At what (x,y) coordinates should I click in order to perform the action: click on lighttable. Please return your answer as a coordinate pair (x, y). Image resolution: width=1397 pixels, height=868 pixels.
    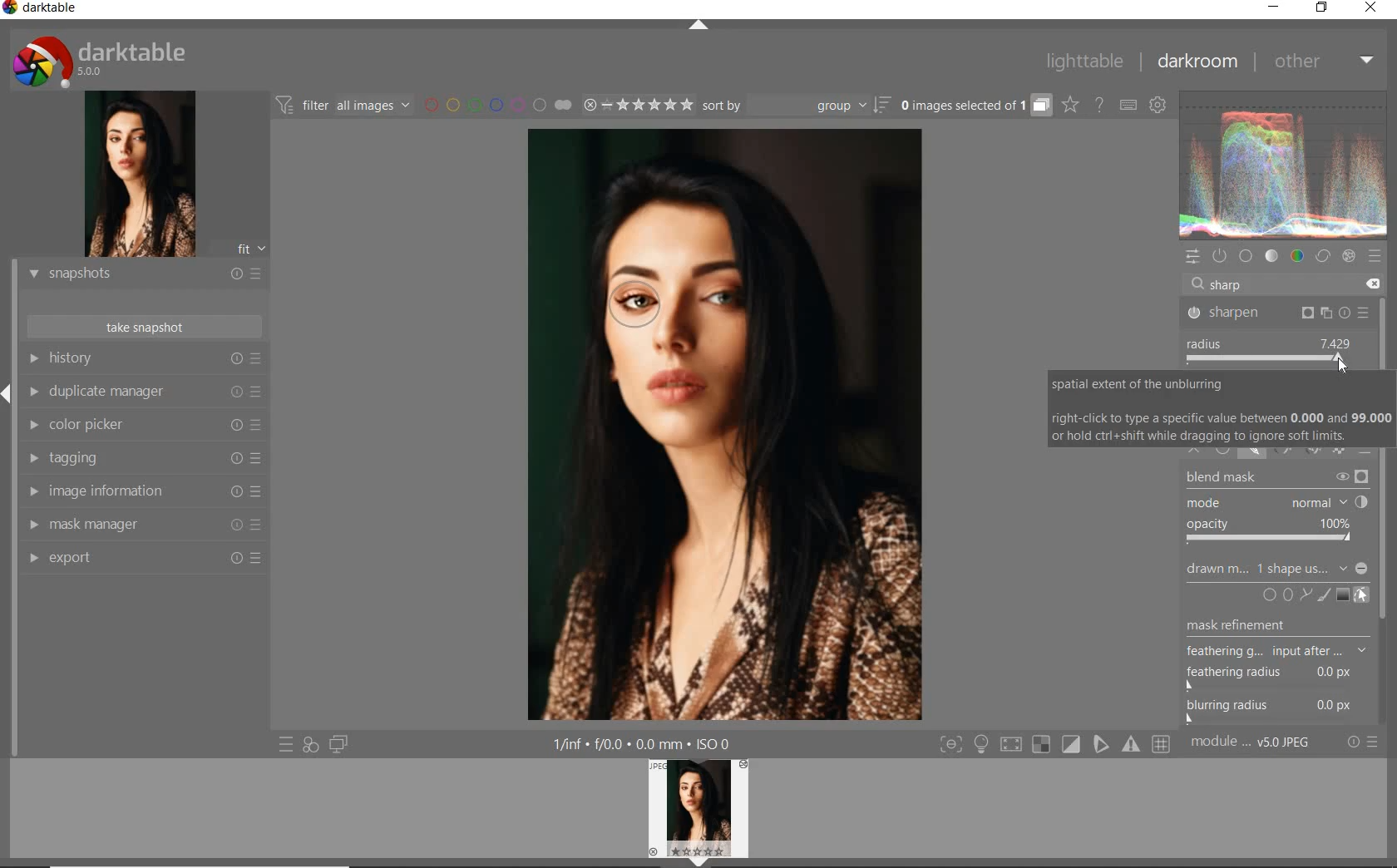
    Looking at the image, I should click on (1084, 62).